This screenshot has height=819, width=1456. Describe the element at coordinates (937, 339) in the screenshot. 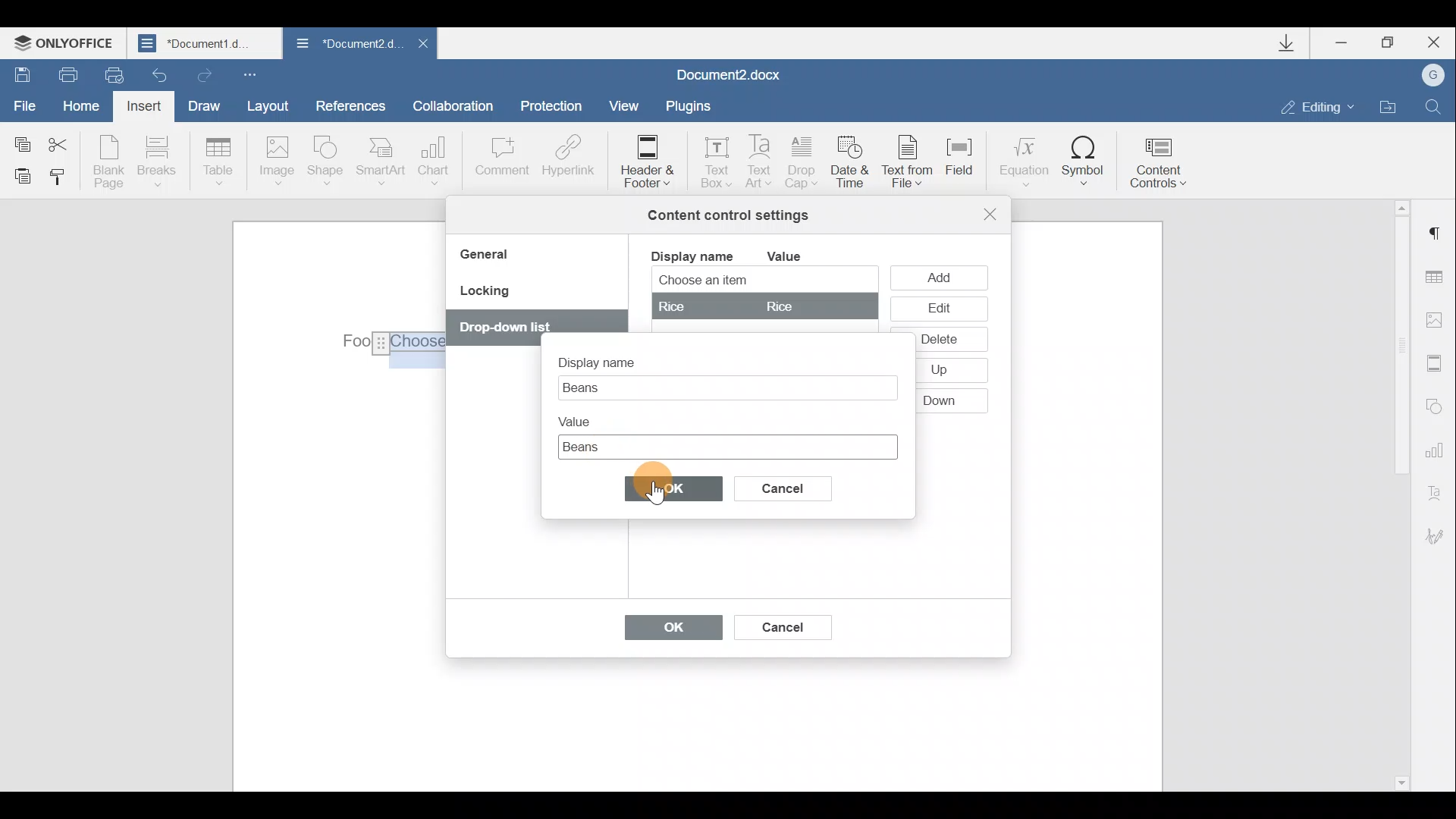

I see `` at that location.